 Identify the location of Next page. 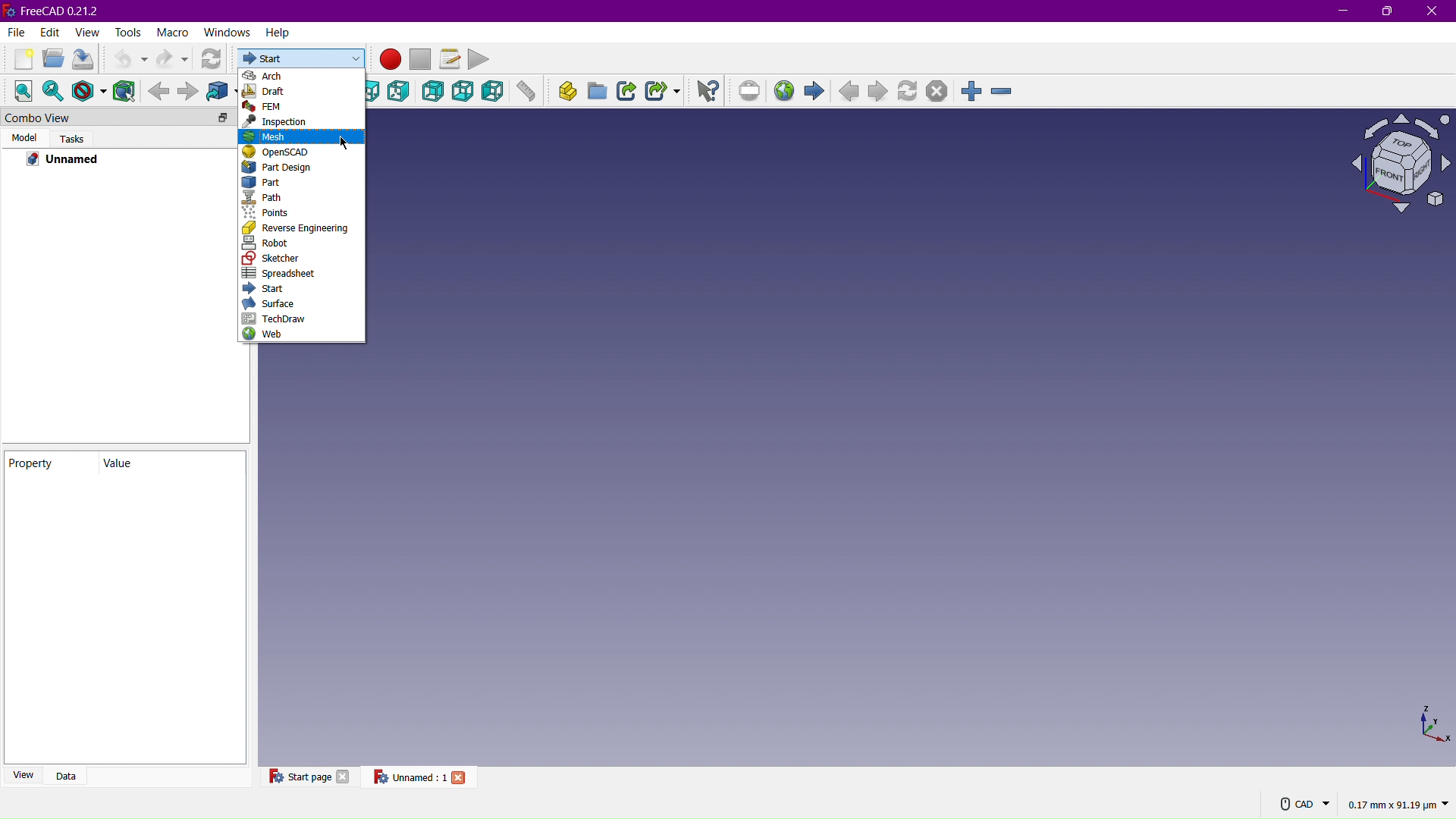
(880, 93).